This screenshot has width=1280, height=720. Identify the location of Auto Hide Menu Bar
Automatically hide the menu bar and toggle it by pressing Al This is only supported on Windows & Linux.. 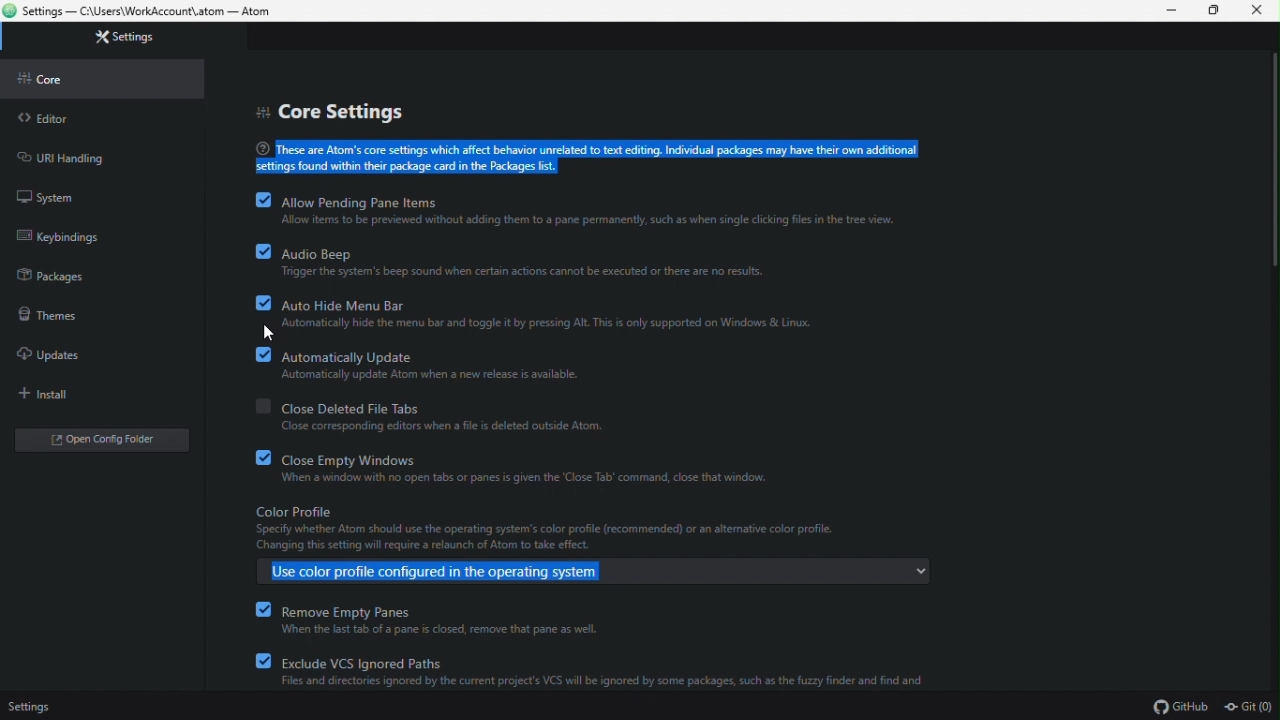
(563, 311).